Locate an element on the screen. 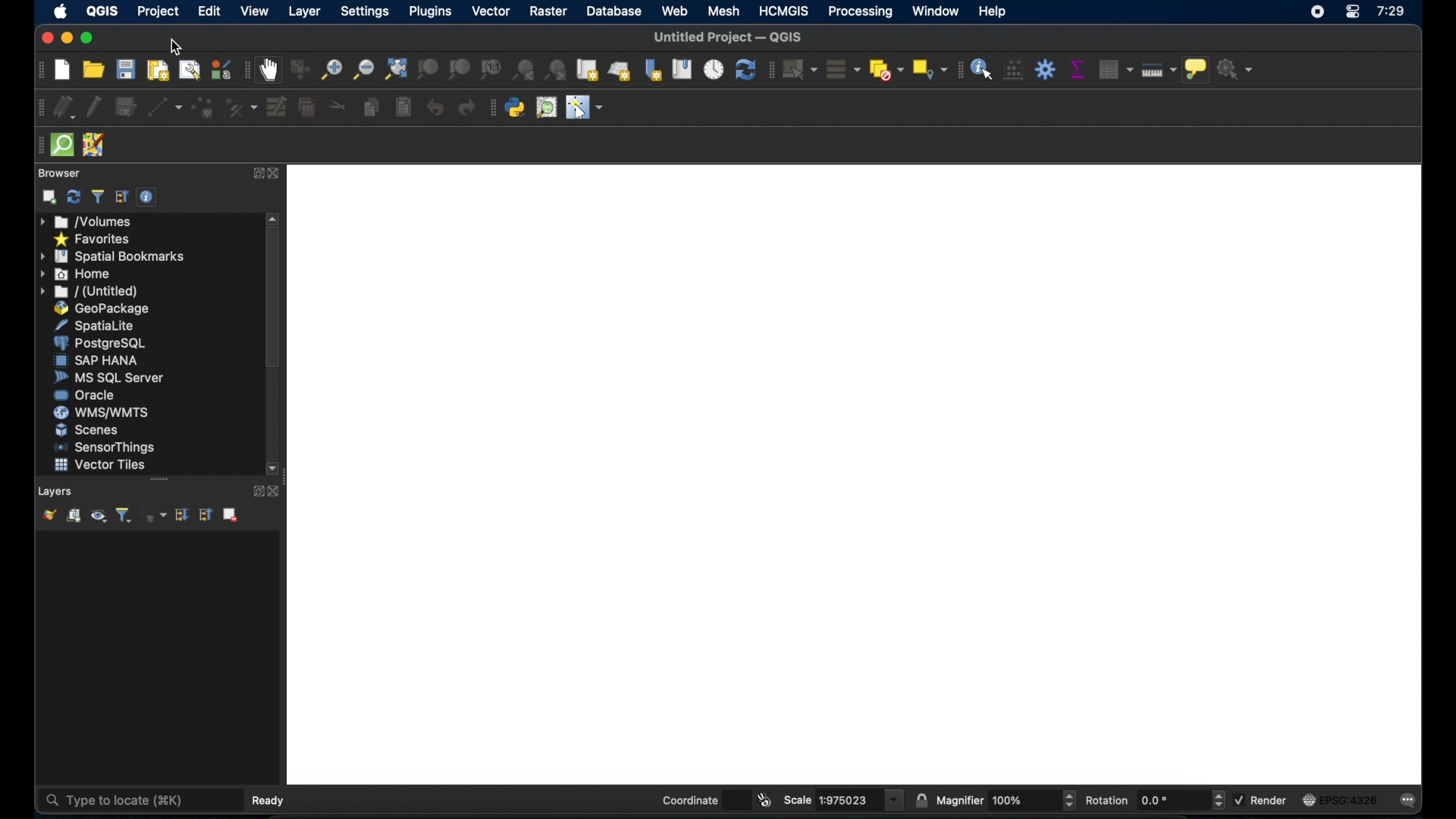 This screenshot has width=1456, height=819. lock is located at coordinates (921, 799).